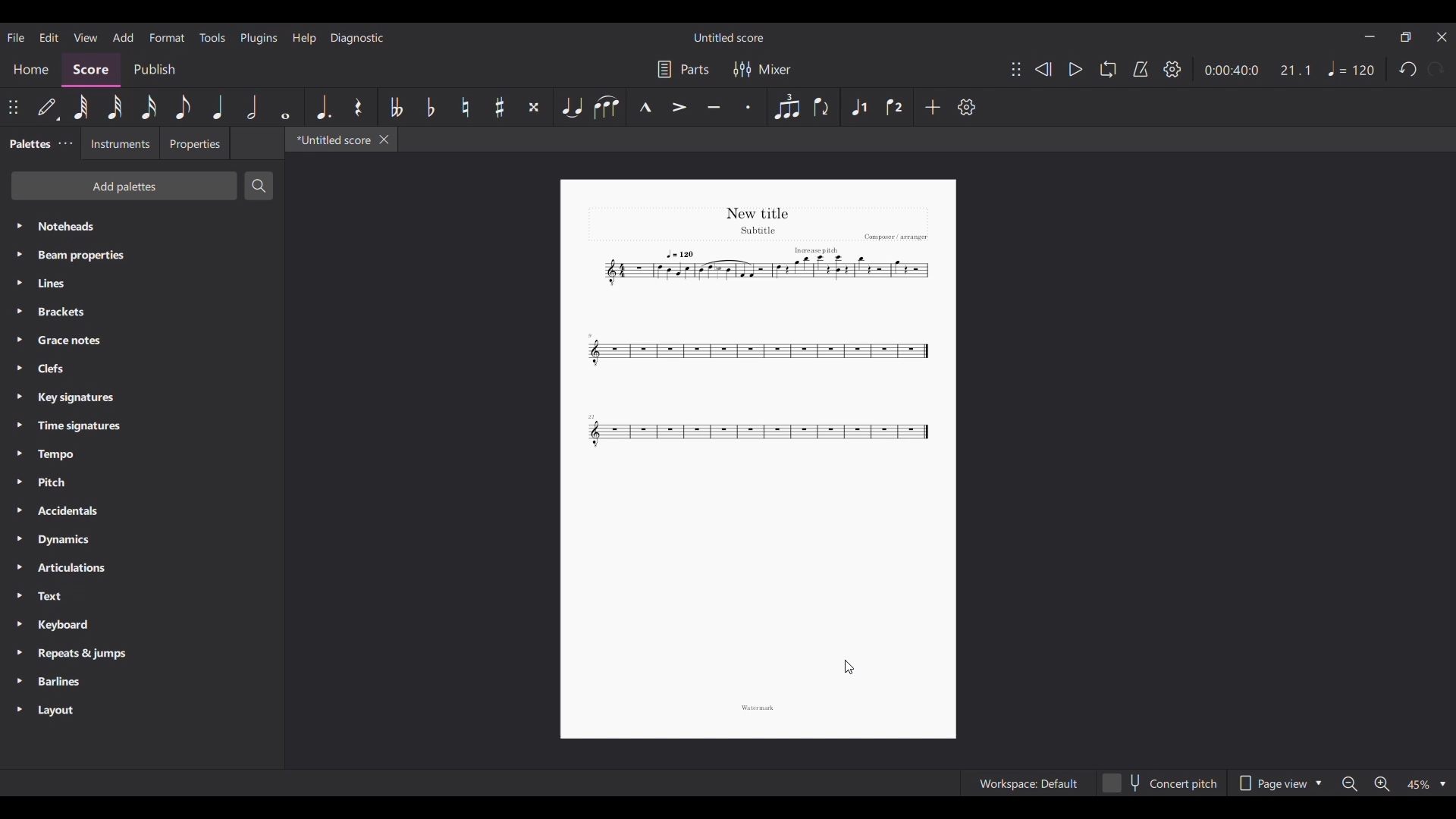 The width and height of the screenshot is (1456, 819). Describe the element at coordinates (124, 37) in the screenshot. I see `Add menu` at that location.